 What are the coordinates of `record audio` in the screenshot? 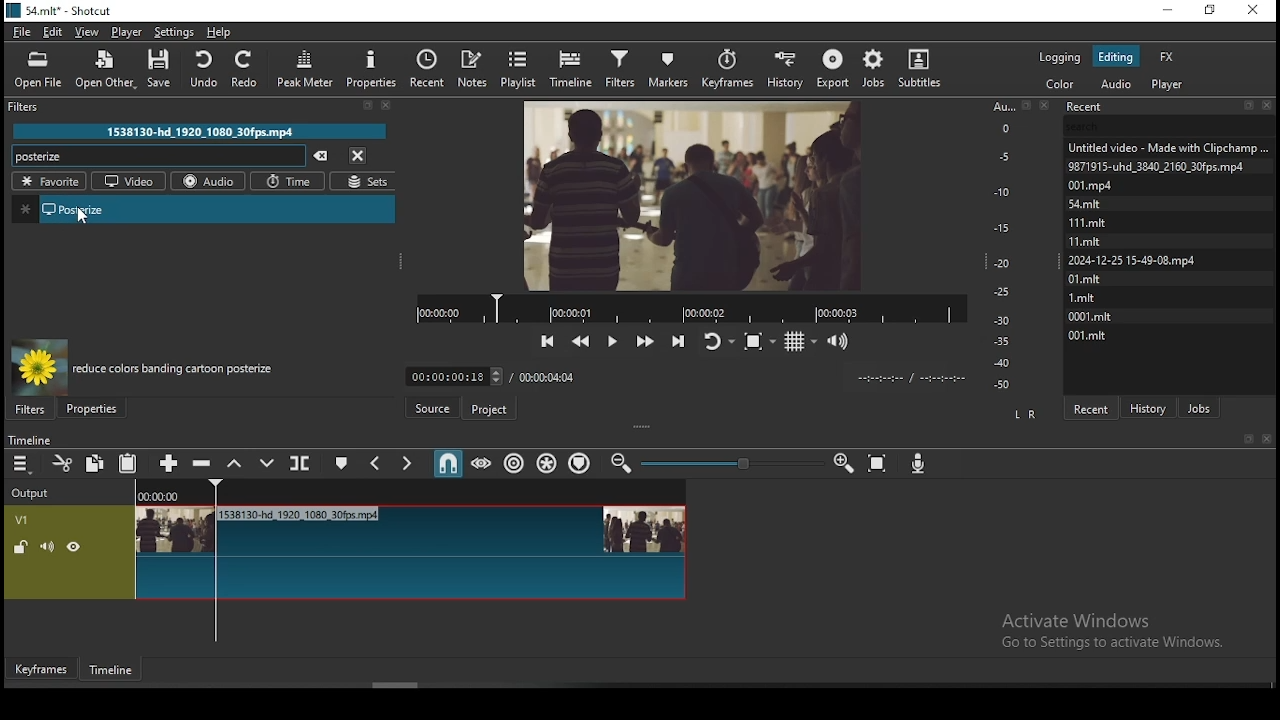 It's located at (919, 460).